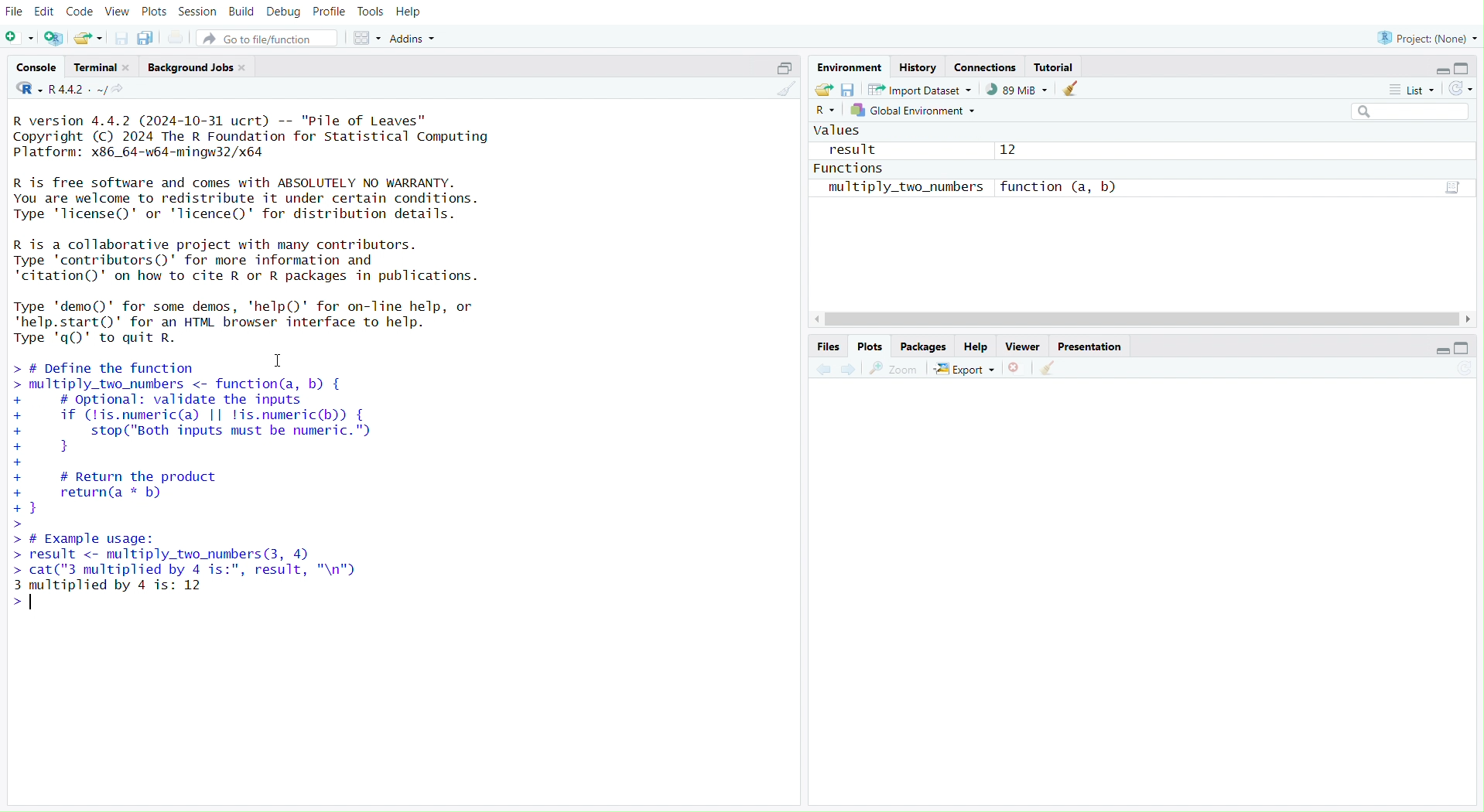 The width and height of the screenshot is (1484, 812). What do you see at coordinates (36, 69) in the screenshot?
I see `Console` at bounding box center [36, 69].